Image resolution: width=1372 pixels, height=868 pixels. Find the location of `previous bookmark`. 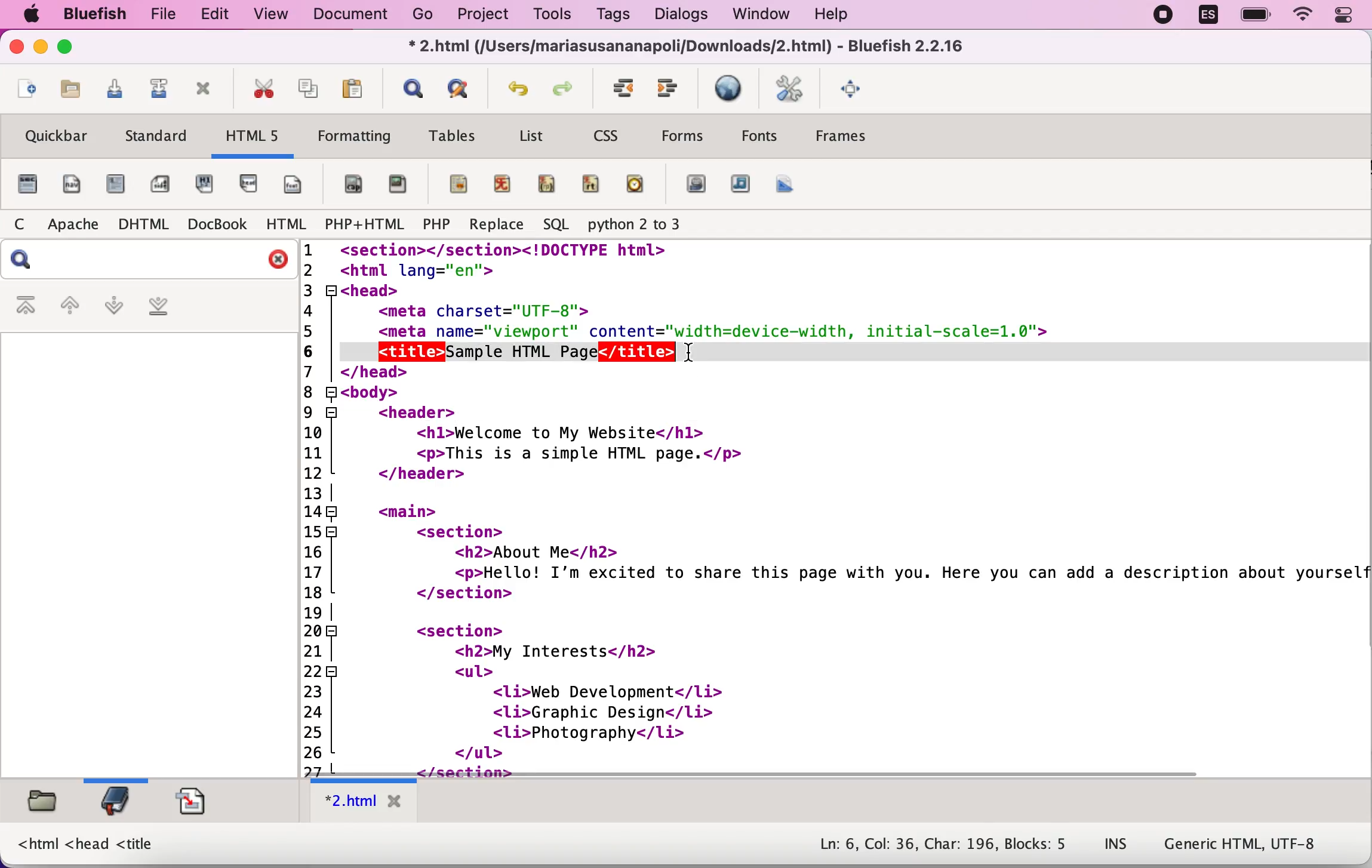

previous bookmark is located at coordinates (69, 306).